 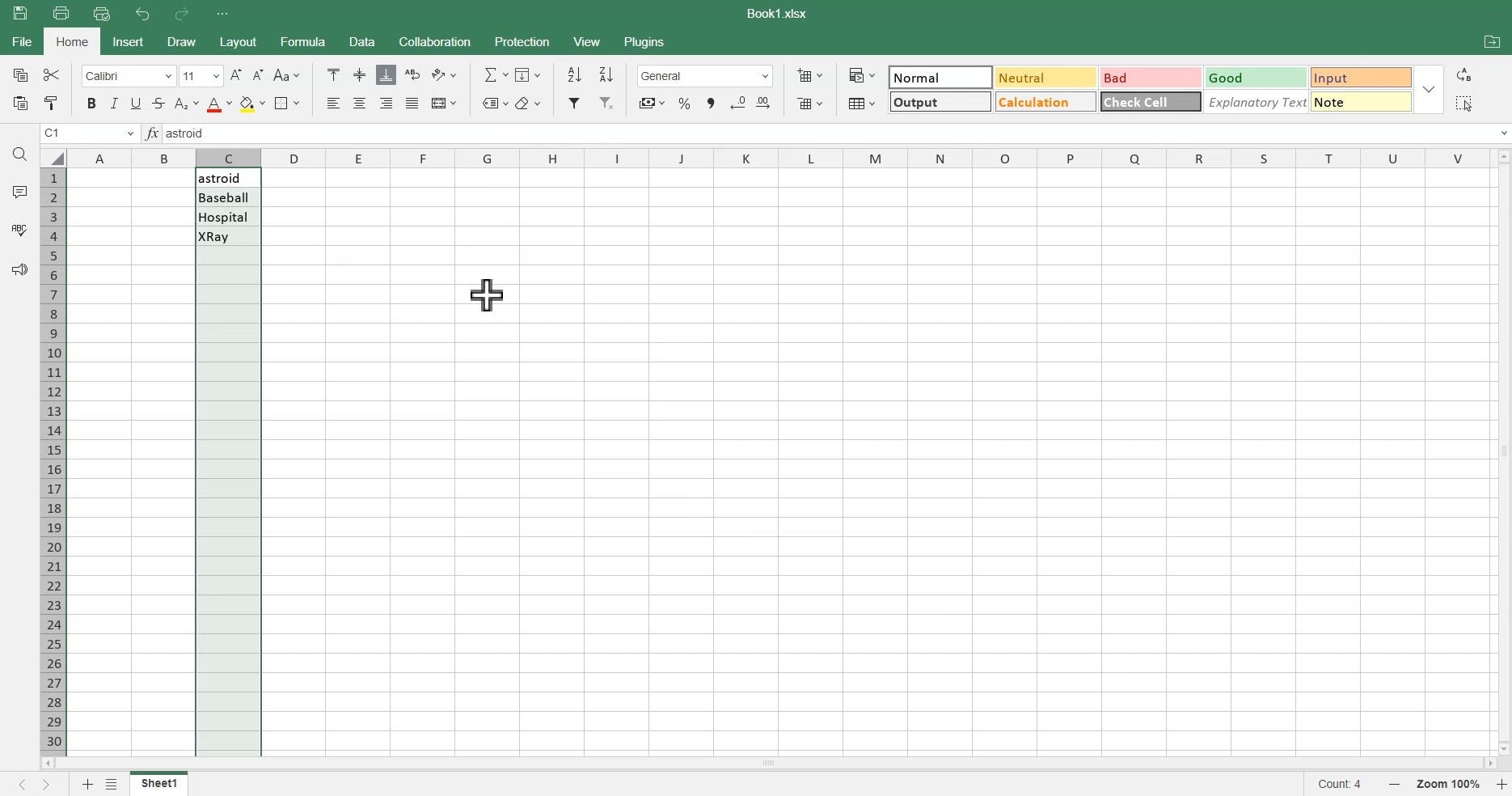 I want to click on Decrease Decimal, so click(x=738, y=103).